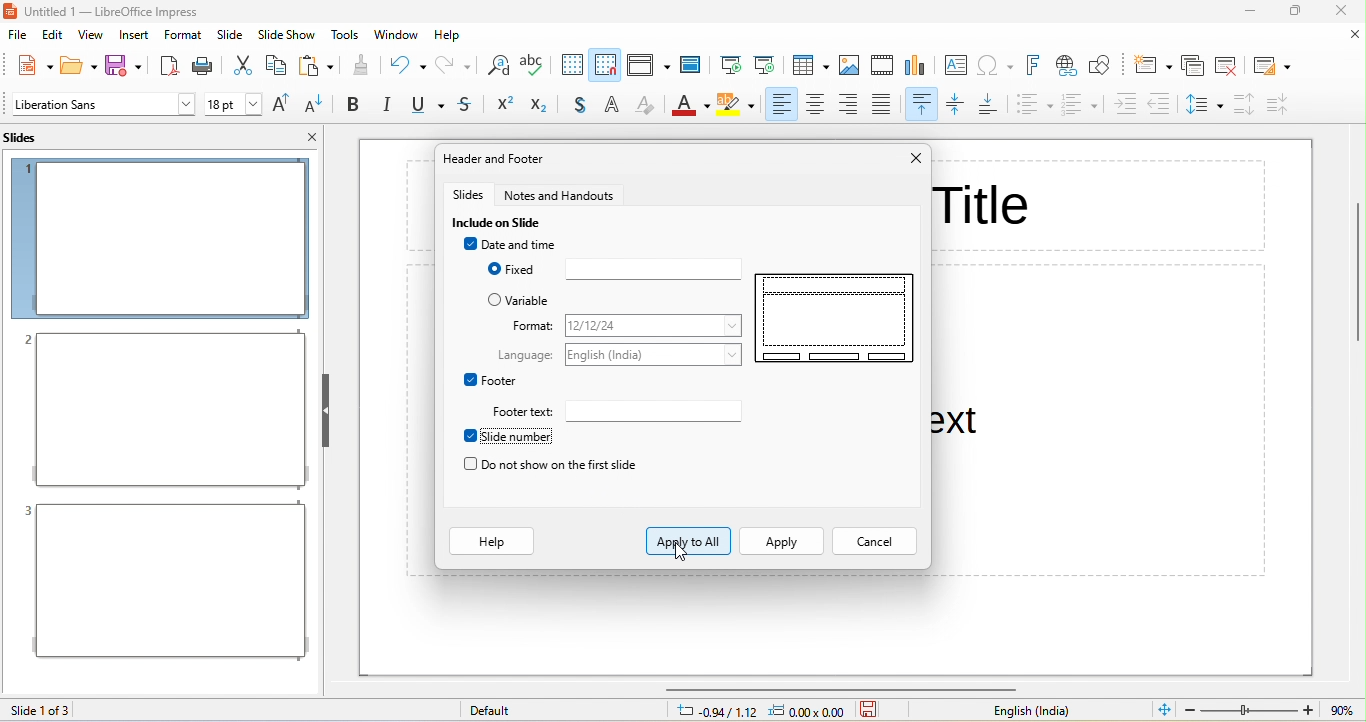  What do you see at coordinates (605, 64) in the screenshot?
I see `snap to grid` at bounding box center [605, 64].